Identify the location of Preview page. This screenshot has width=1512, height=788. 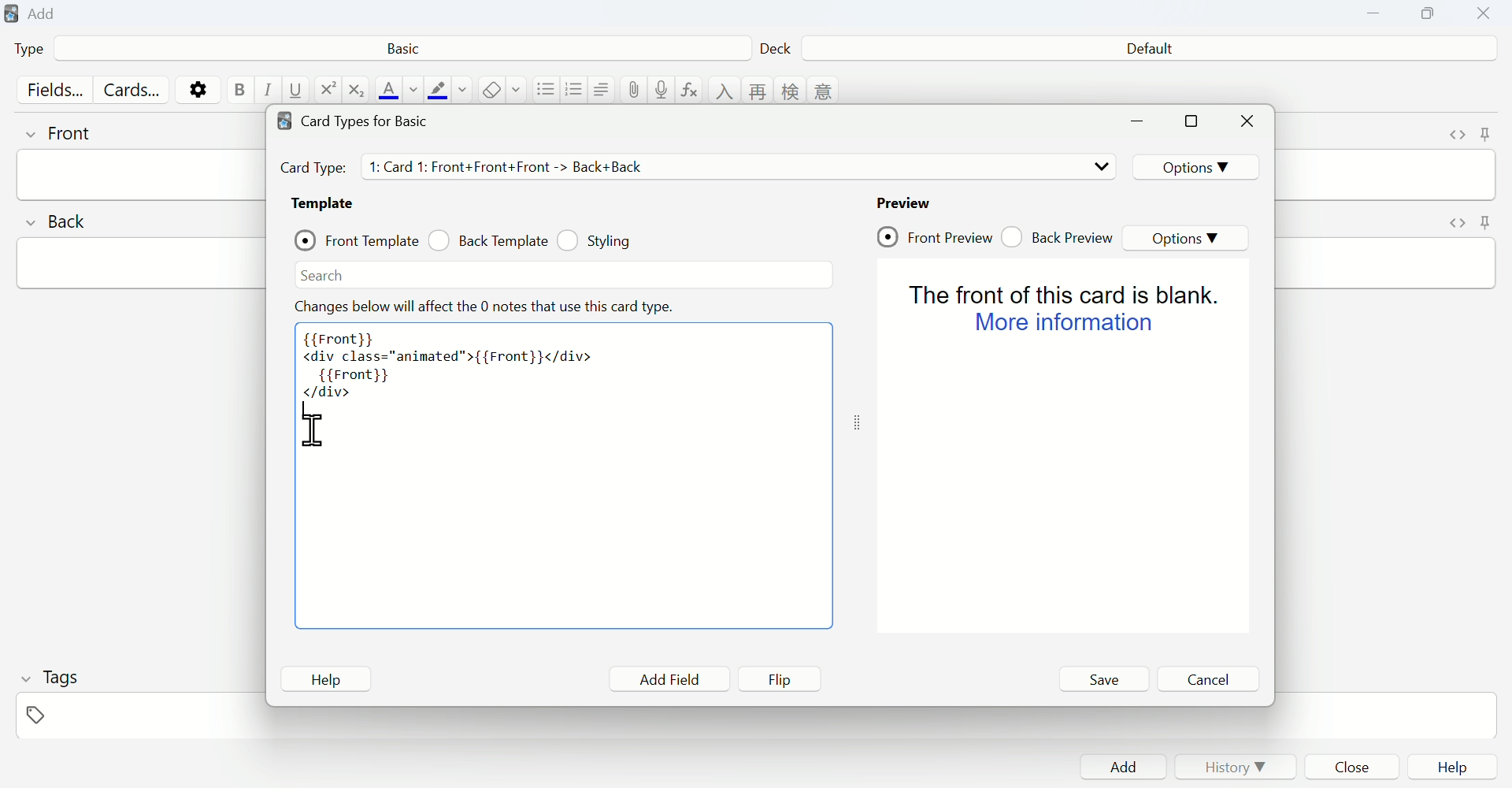
(1072, 449).